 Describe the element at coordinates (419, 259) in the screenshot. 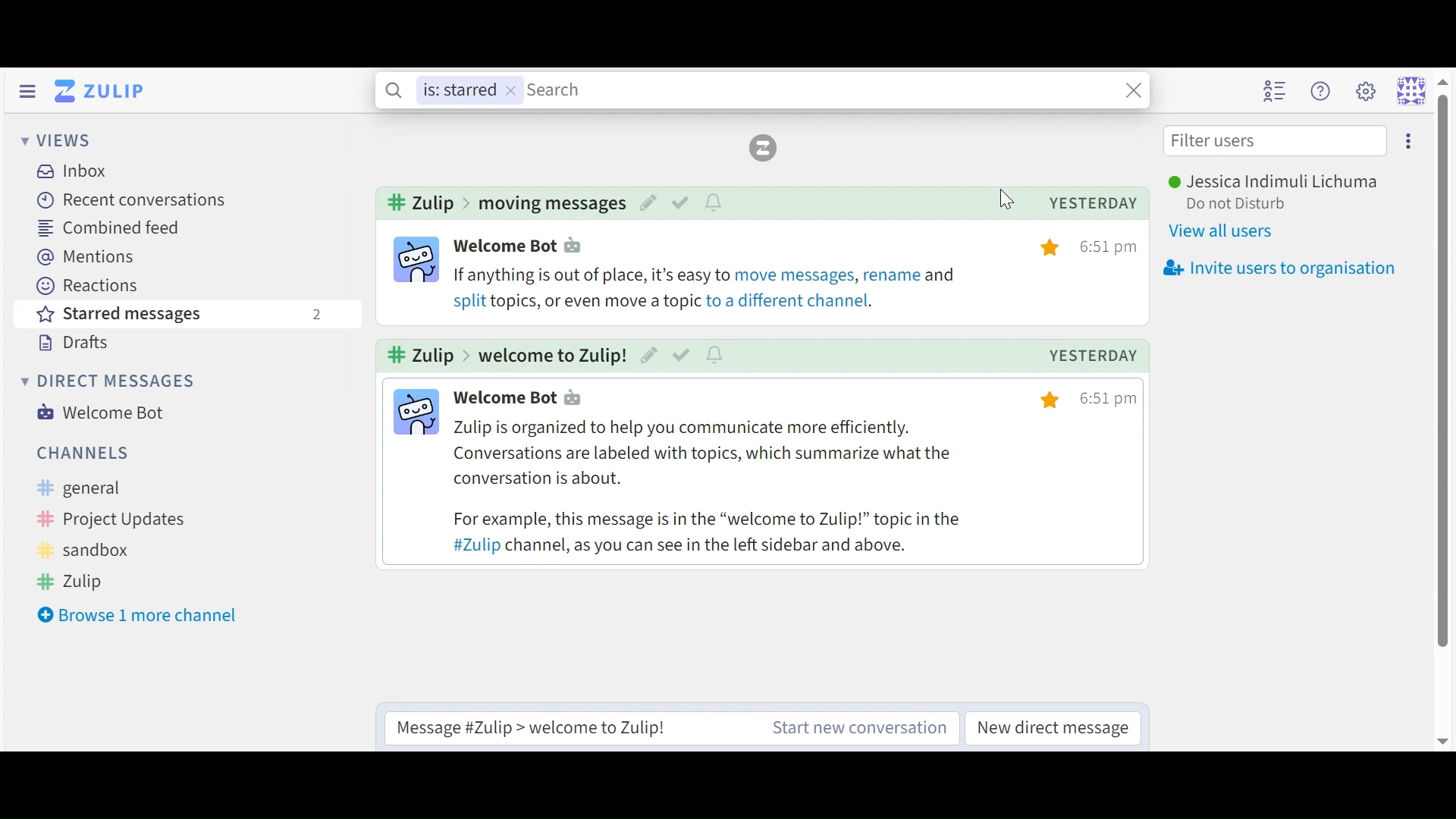

I see `user info` at that location.